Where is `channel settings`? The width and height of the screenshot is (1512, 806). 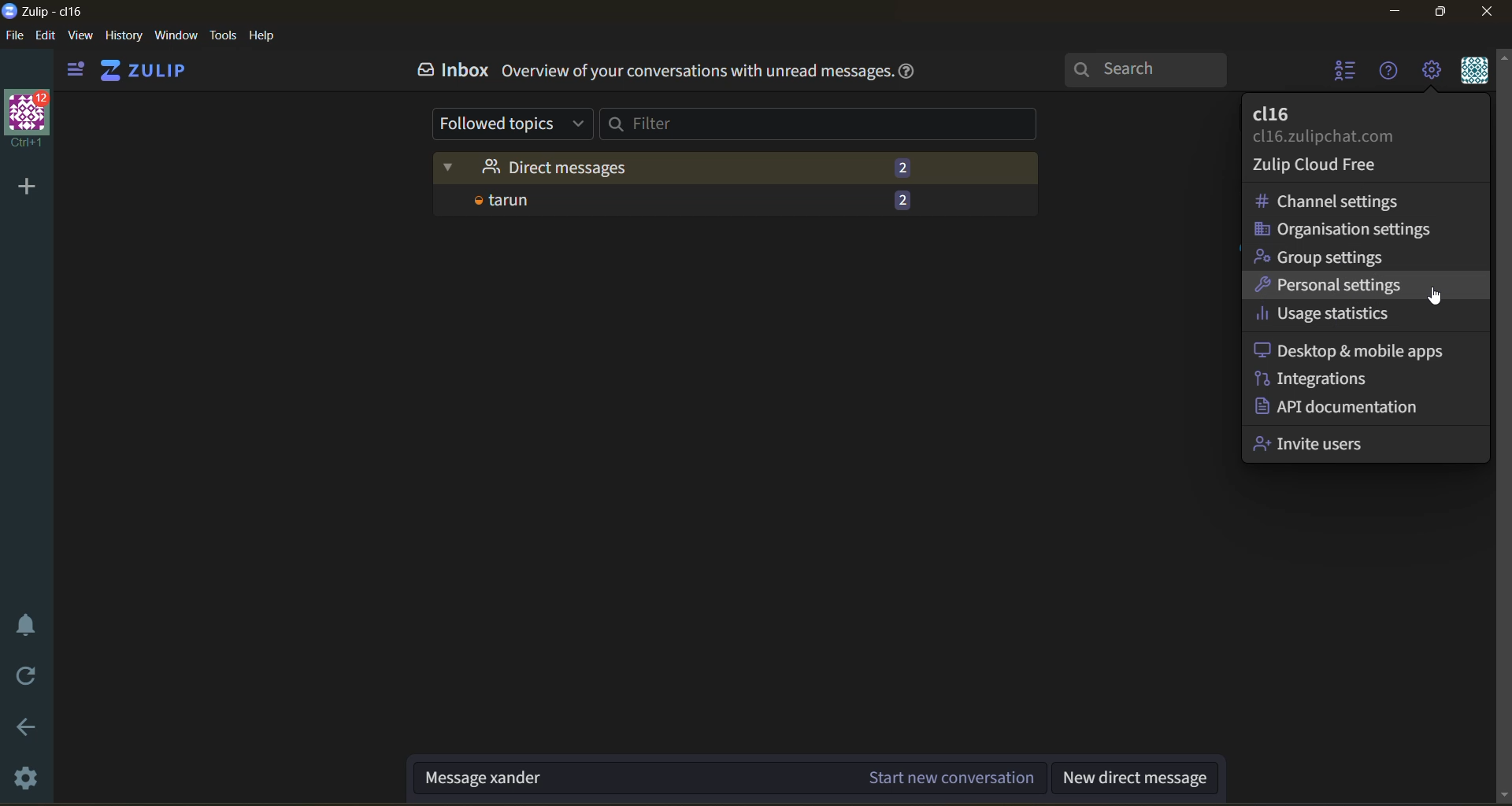 channel settings is located at coordinates (1343, 202).